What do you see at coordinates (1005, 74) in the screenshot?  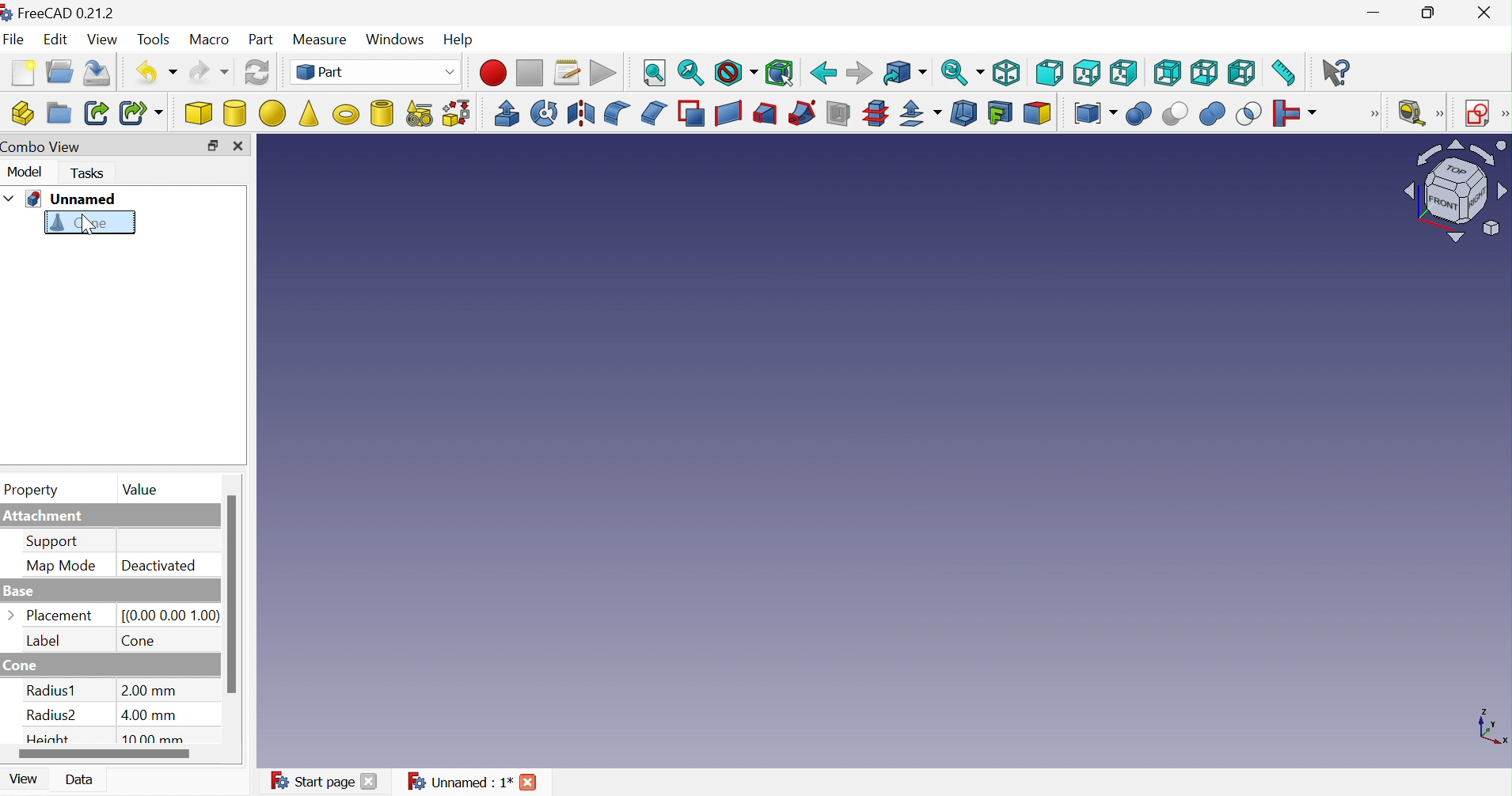 I see `Isometric` at bounding box center [1005, 74].